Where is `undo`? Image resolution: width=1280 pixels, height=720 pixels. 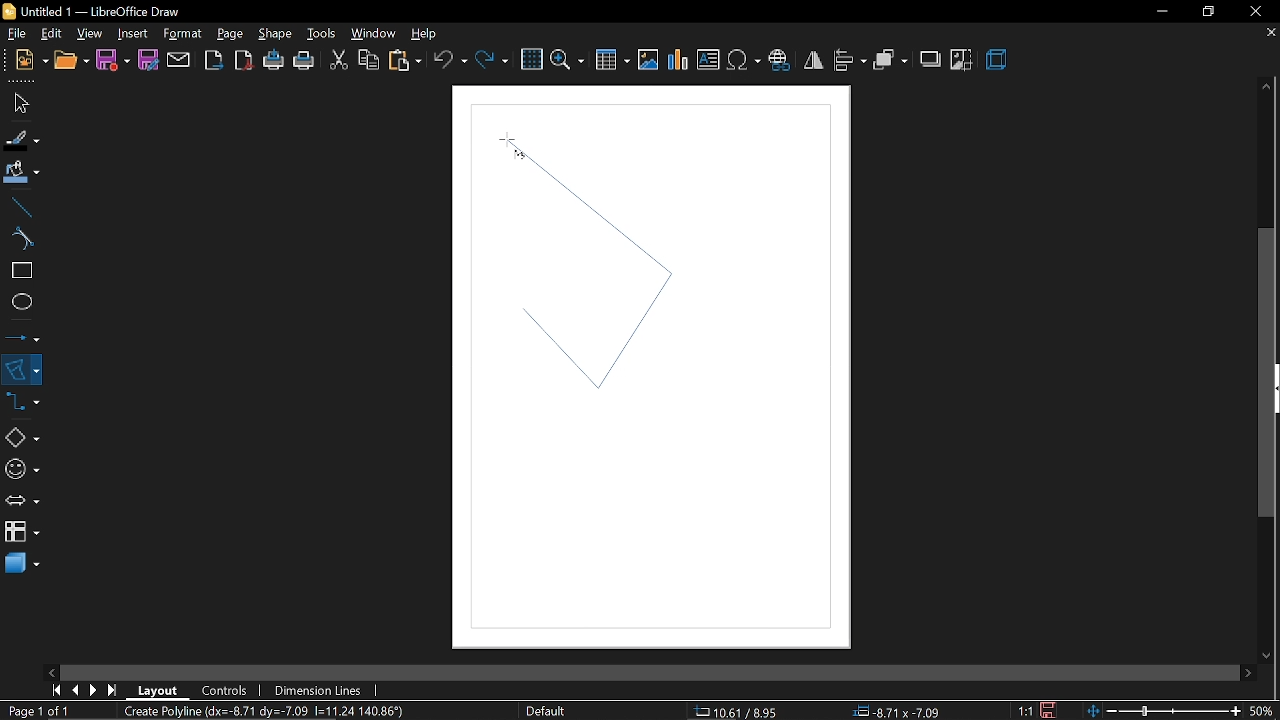 undo is located at coordinates (451, 59).